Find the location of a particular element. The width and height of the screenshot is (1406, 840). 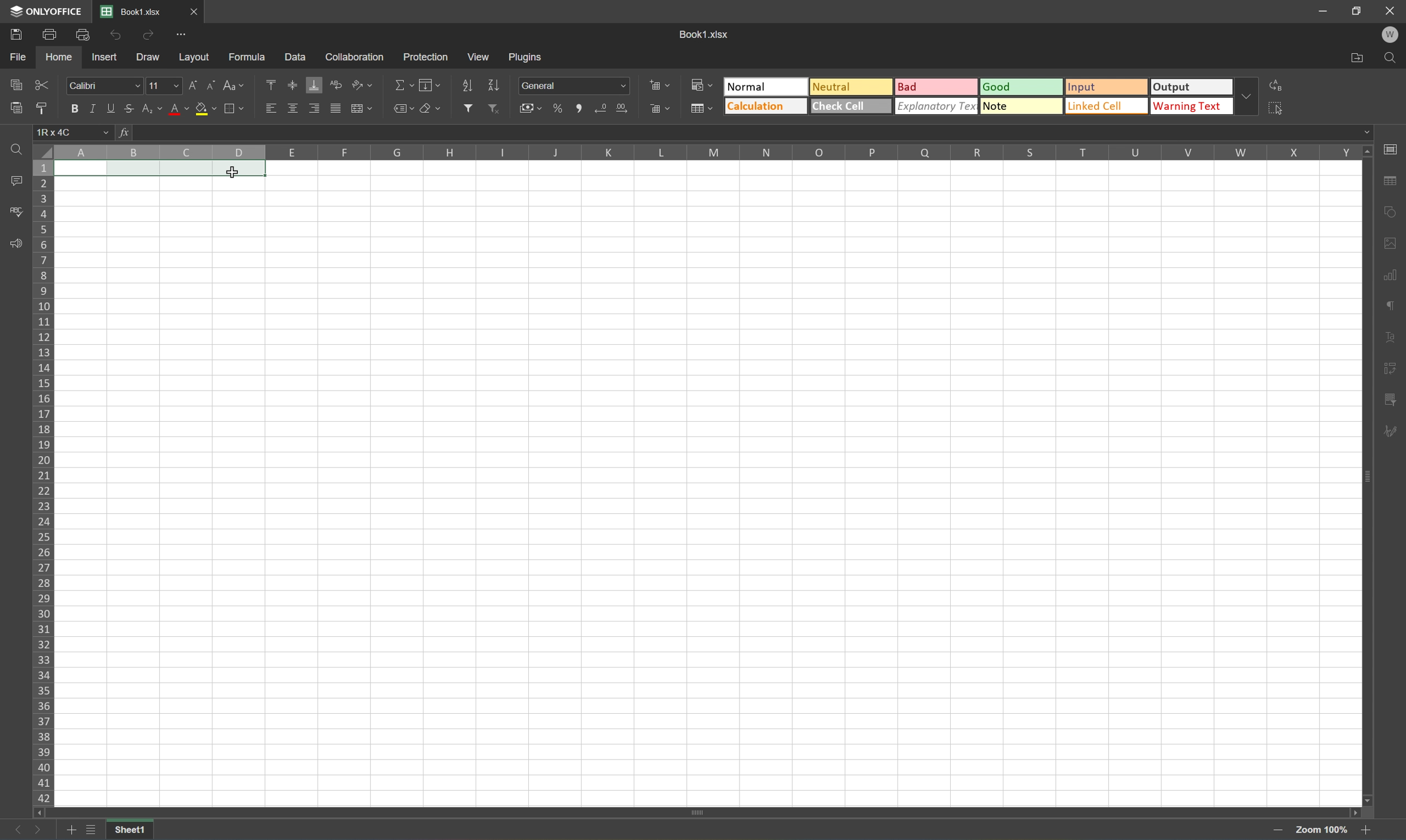

Fill is located at coordinates (429, 85).